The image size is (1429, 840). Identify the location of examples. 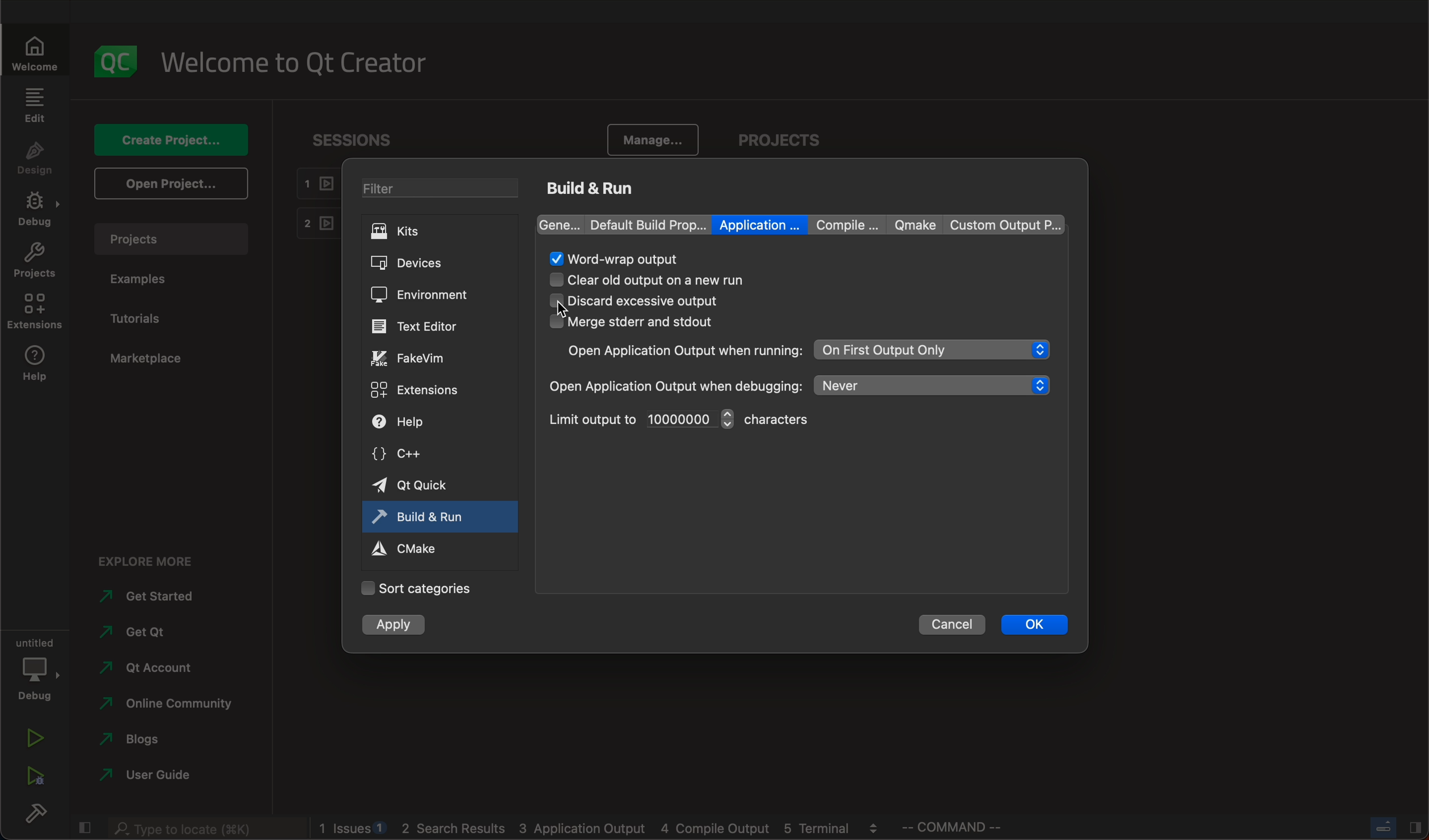
(139, 277).